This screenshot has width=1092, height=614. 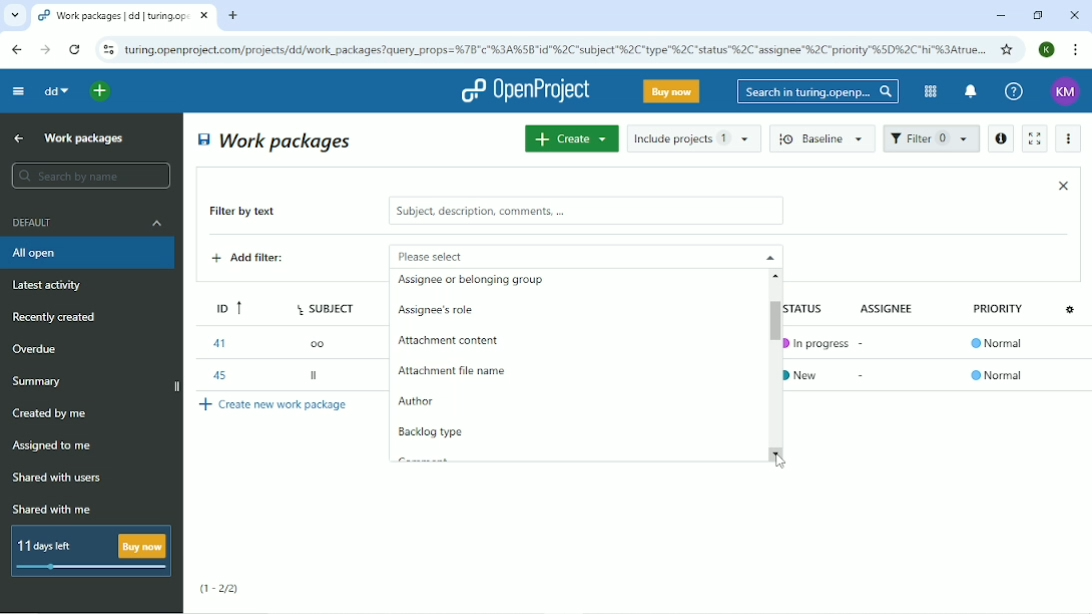 I want to click on Attachment file name, so click(x=453, y=374).